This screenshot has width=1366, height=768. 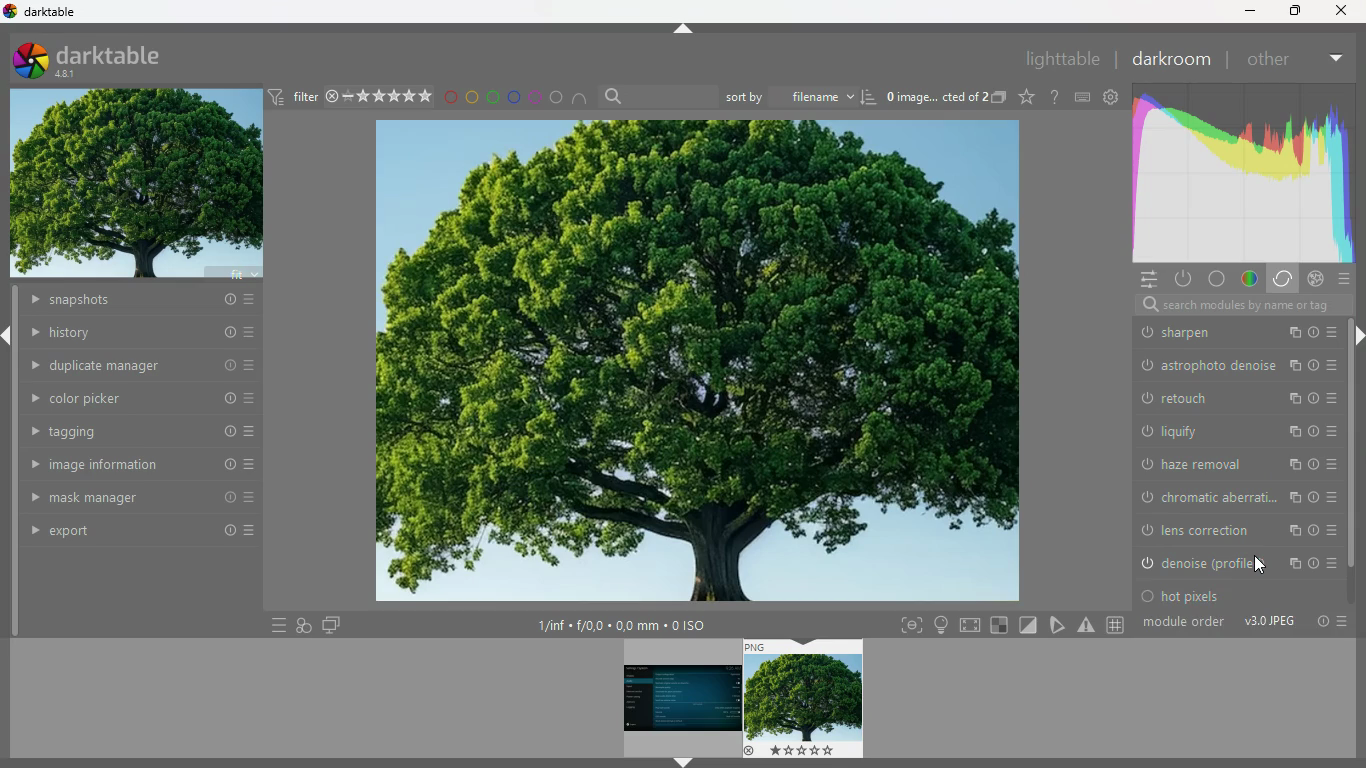 What do you see at coordinates (1343, 279) in the screenshot?
I see `more` at bounding box center [1343, 279].